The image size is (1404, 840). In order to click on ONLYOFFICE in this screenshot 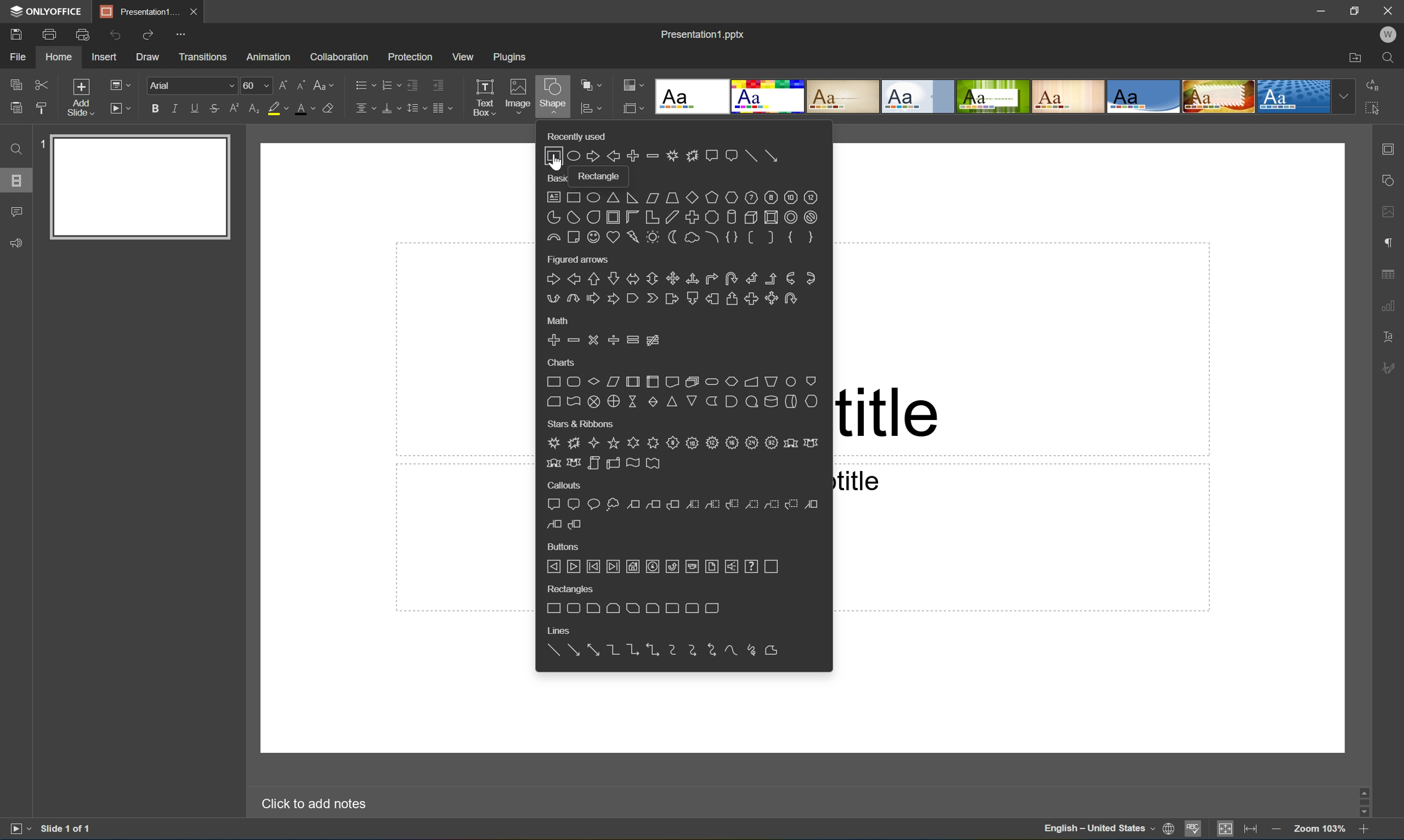, I will do `click(48, 12)`.